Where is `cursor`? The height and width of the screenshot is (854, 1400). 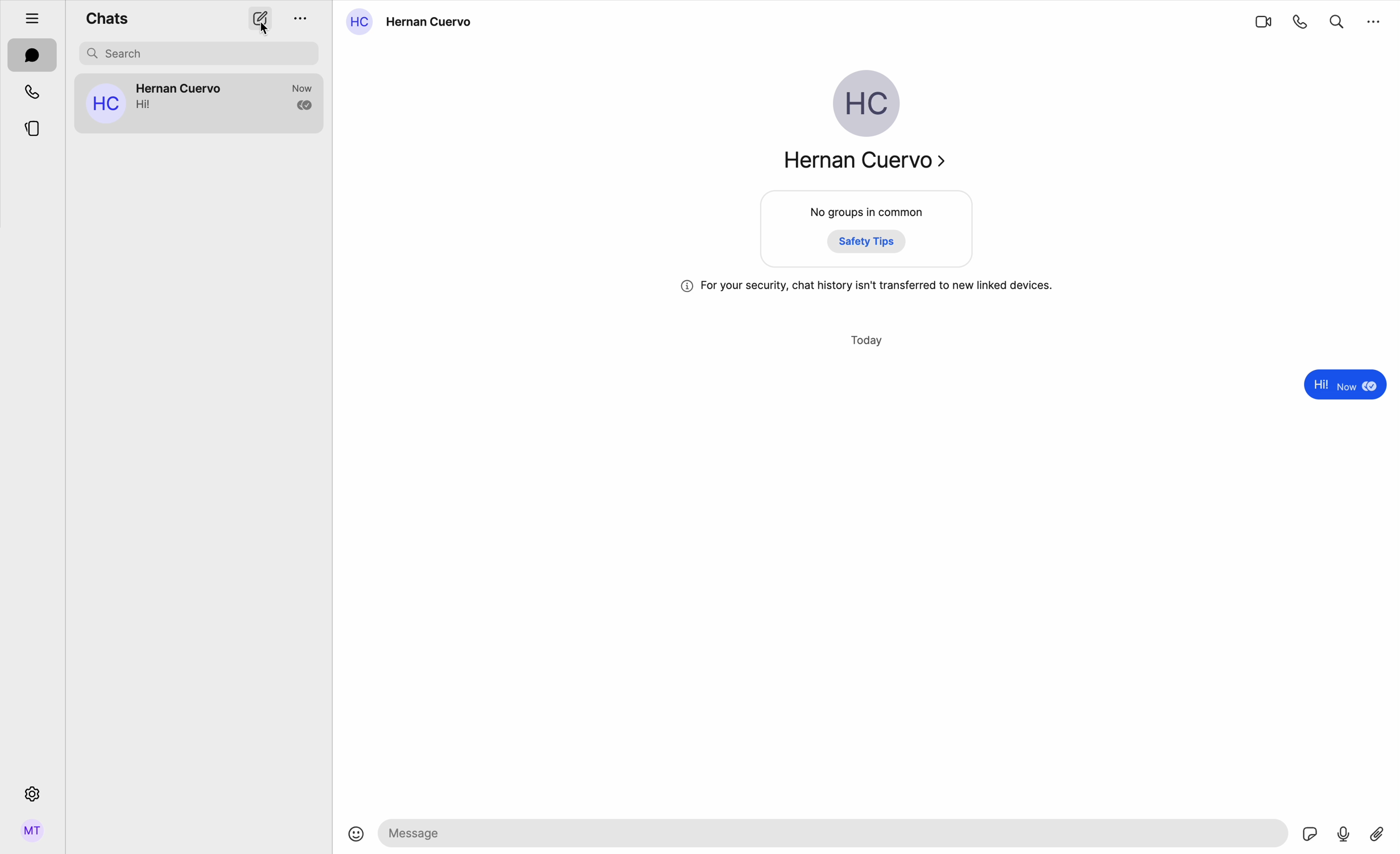 cursor is located at coordinates (267, 30).